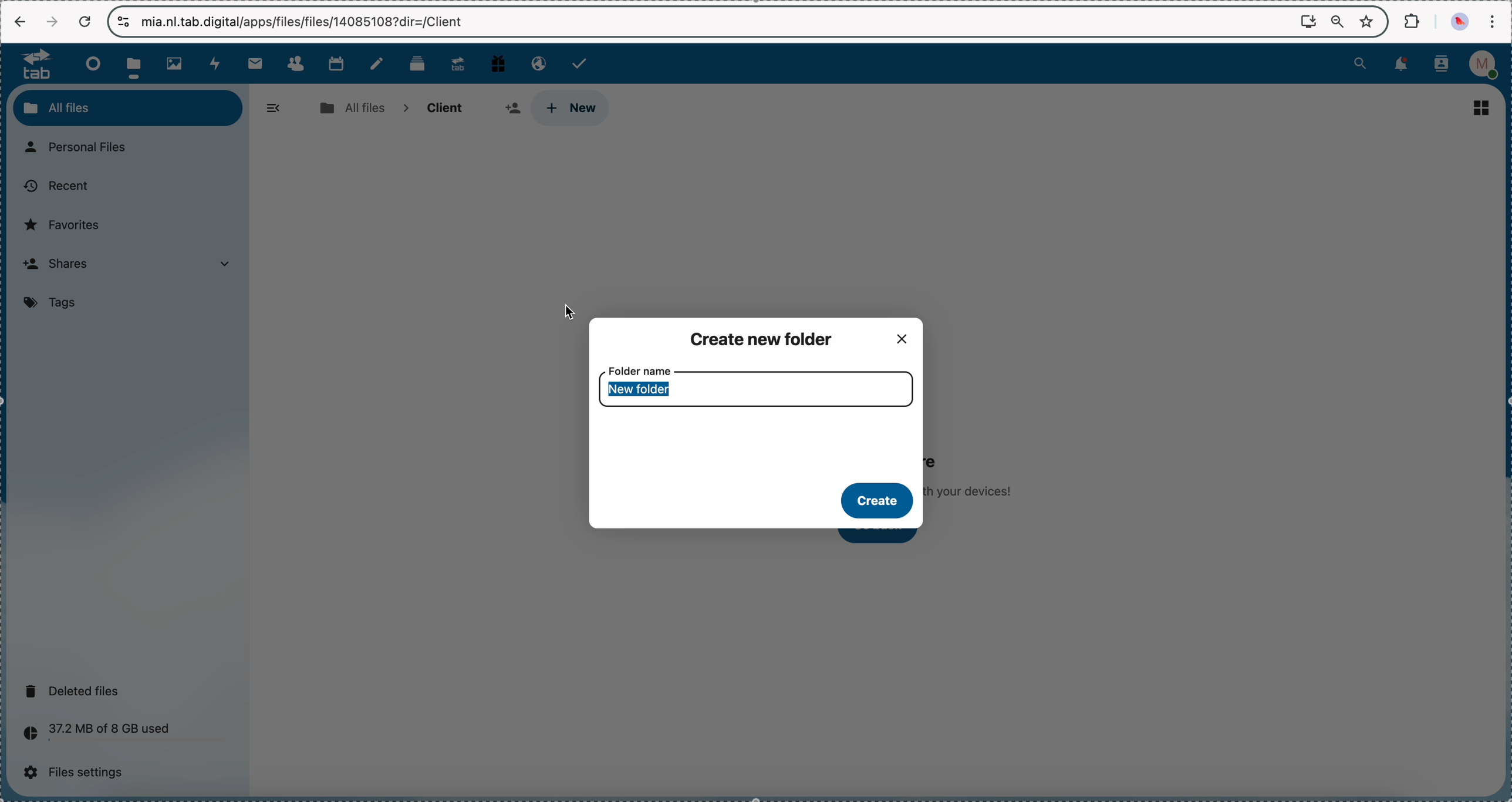  What do you see at coordinates (885, 537) in the screenshot?
I see `click on go back` at bounding box center [885, 537].